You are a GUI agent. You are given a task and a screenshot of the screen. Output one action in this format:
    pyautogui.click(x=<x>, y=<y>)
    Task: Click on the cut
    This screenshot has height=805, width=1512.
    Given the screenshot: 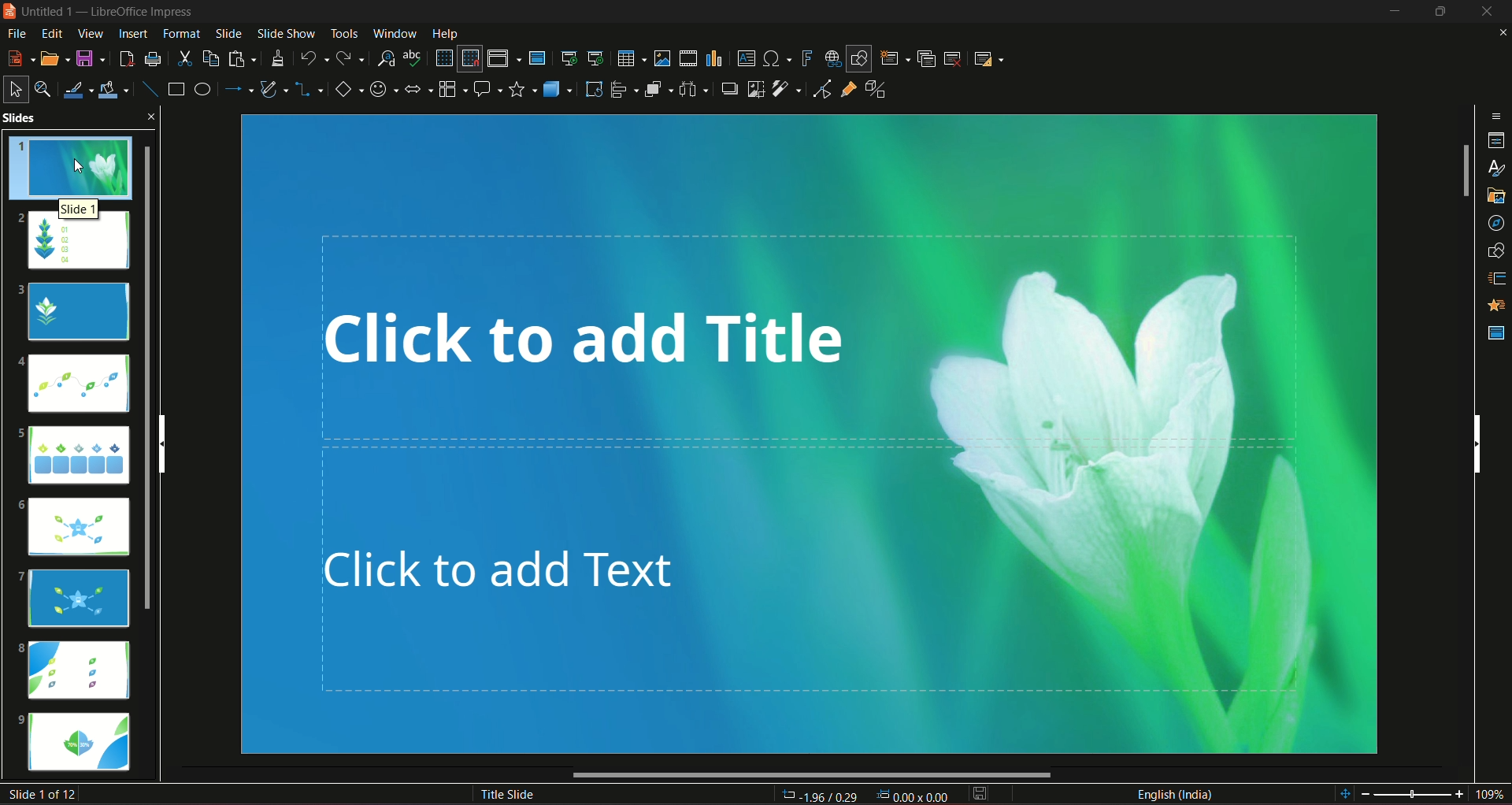 What is the action you would take?
    pyautogui.click(x=184, y=57)
    